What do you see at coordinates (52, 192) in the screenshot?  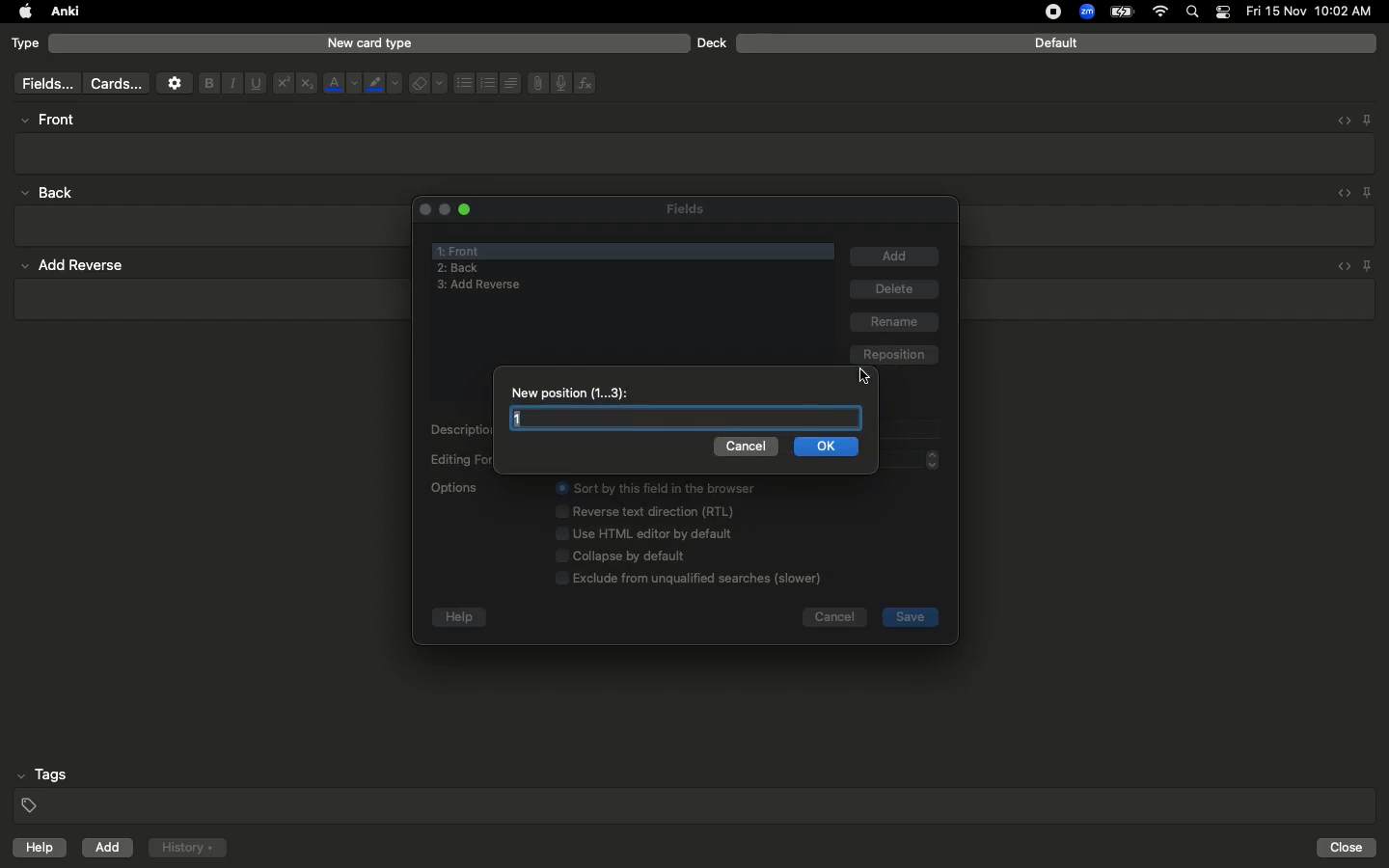 I see `back` at bounding box center [52, 192].